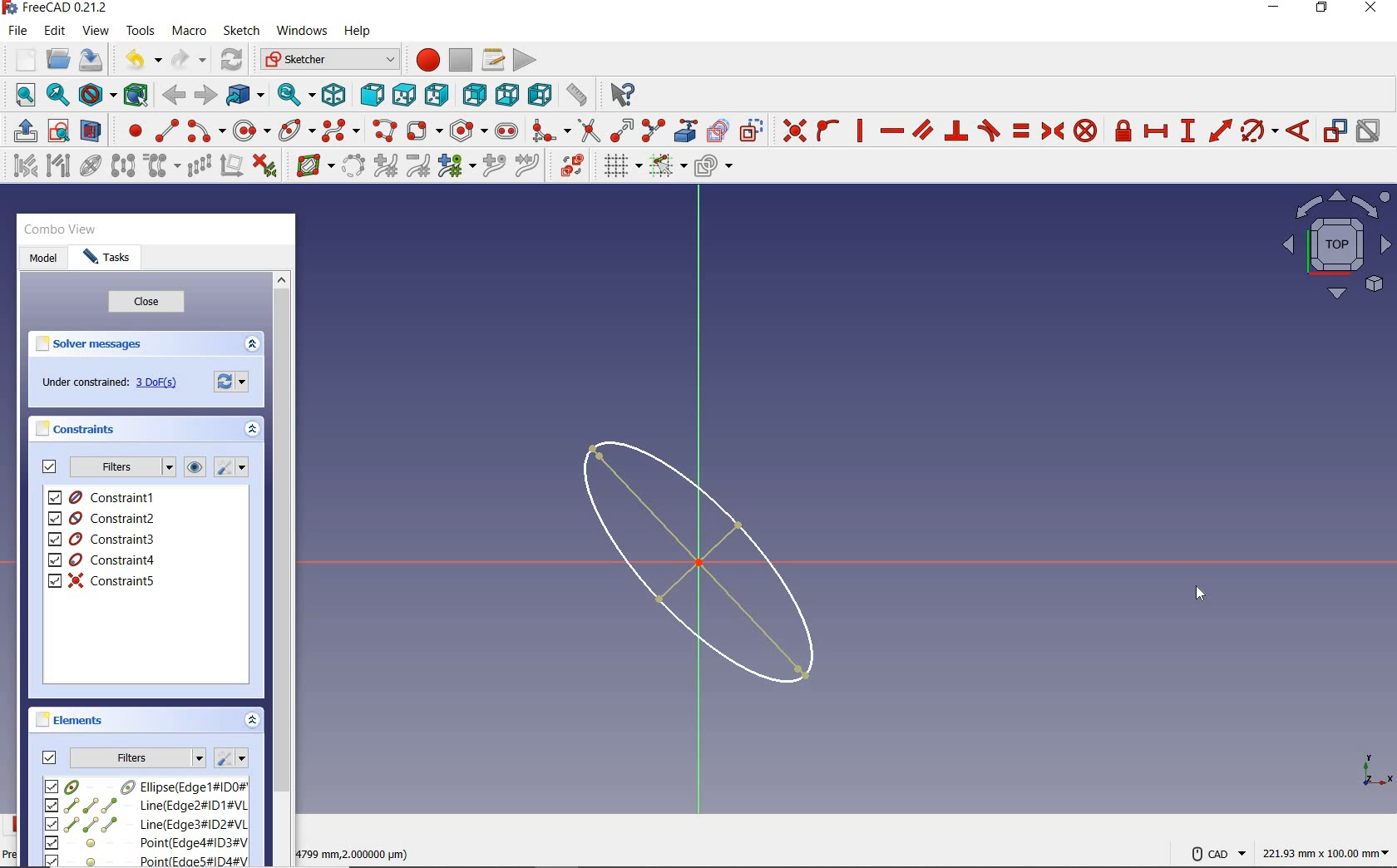 The height and width of the screenshot is (868, 1397). What do you see at coordinates (56, 8) in the screenshot?
I see `system name` at bounding box center [56, 8].